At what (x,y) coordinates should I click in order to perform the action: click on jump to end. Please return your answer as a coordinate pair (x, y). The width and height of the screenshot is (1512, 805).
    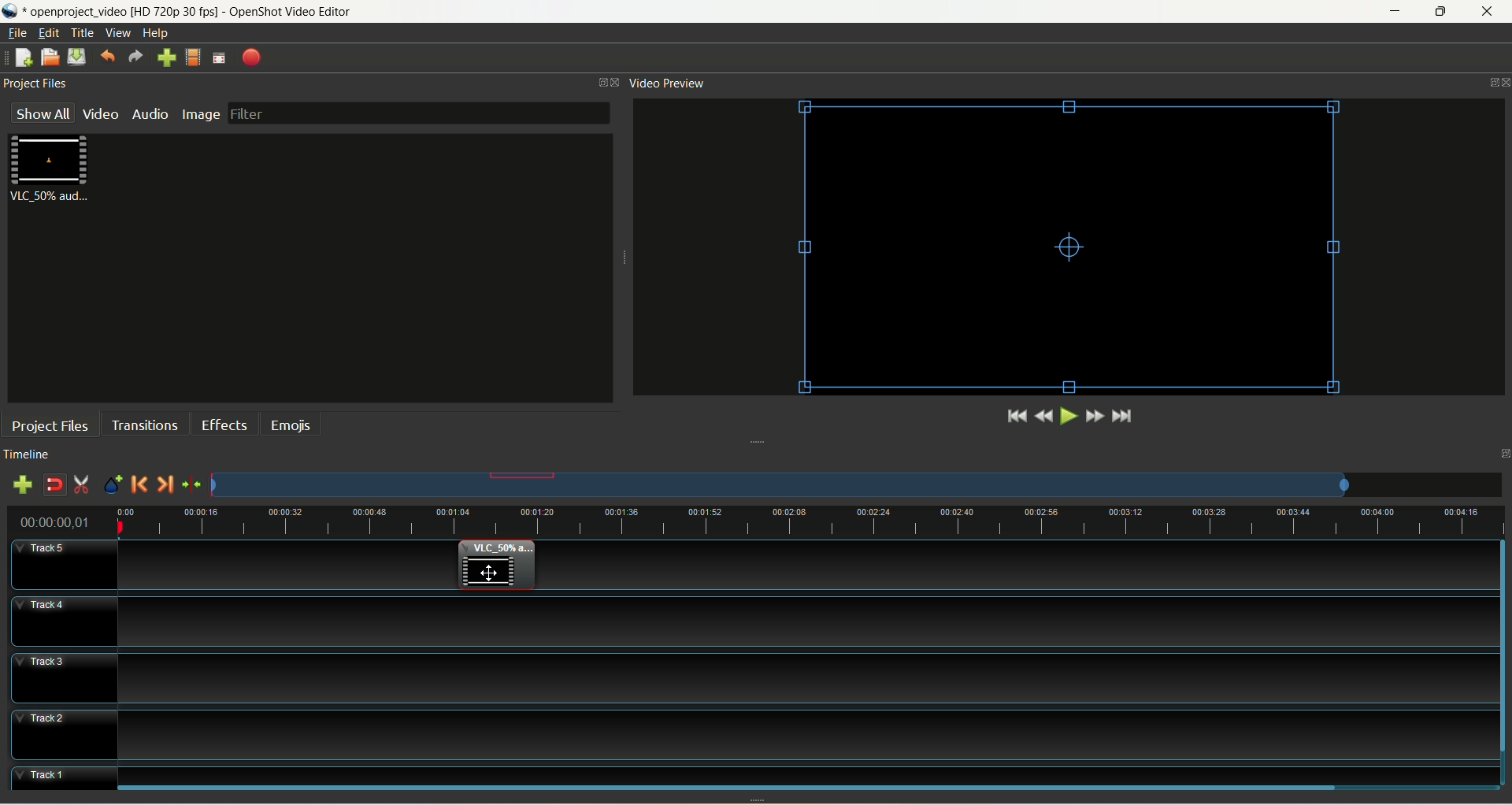
    Looking at the image, I should click on (1124, 417).